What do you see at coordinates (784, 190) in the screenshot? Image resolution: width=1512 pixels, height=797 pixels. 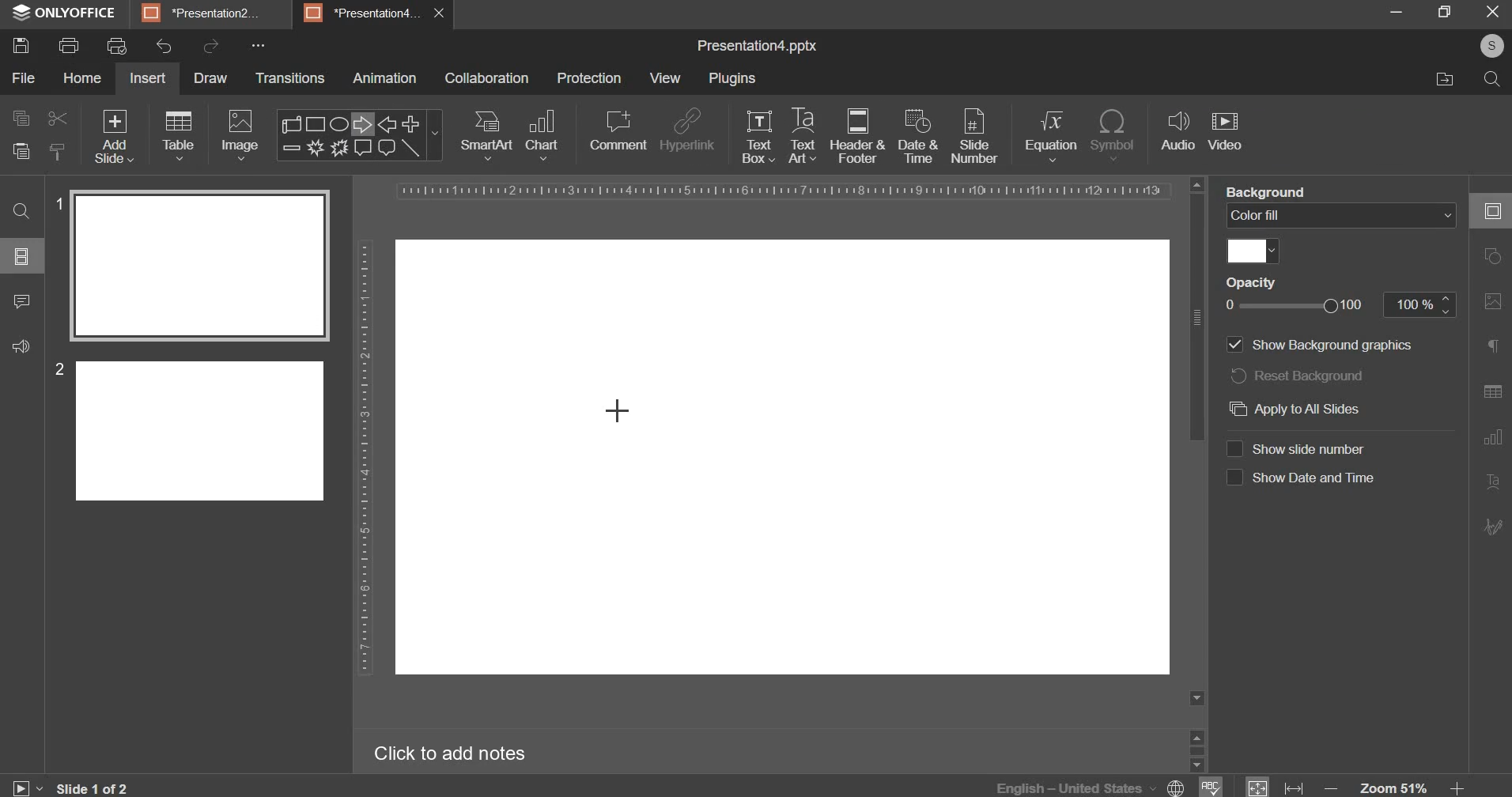 I see `horizontal scale` at bounding box center [784, 190].